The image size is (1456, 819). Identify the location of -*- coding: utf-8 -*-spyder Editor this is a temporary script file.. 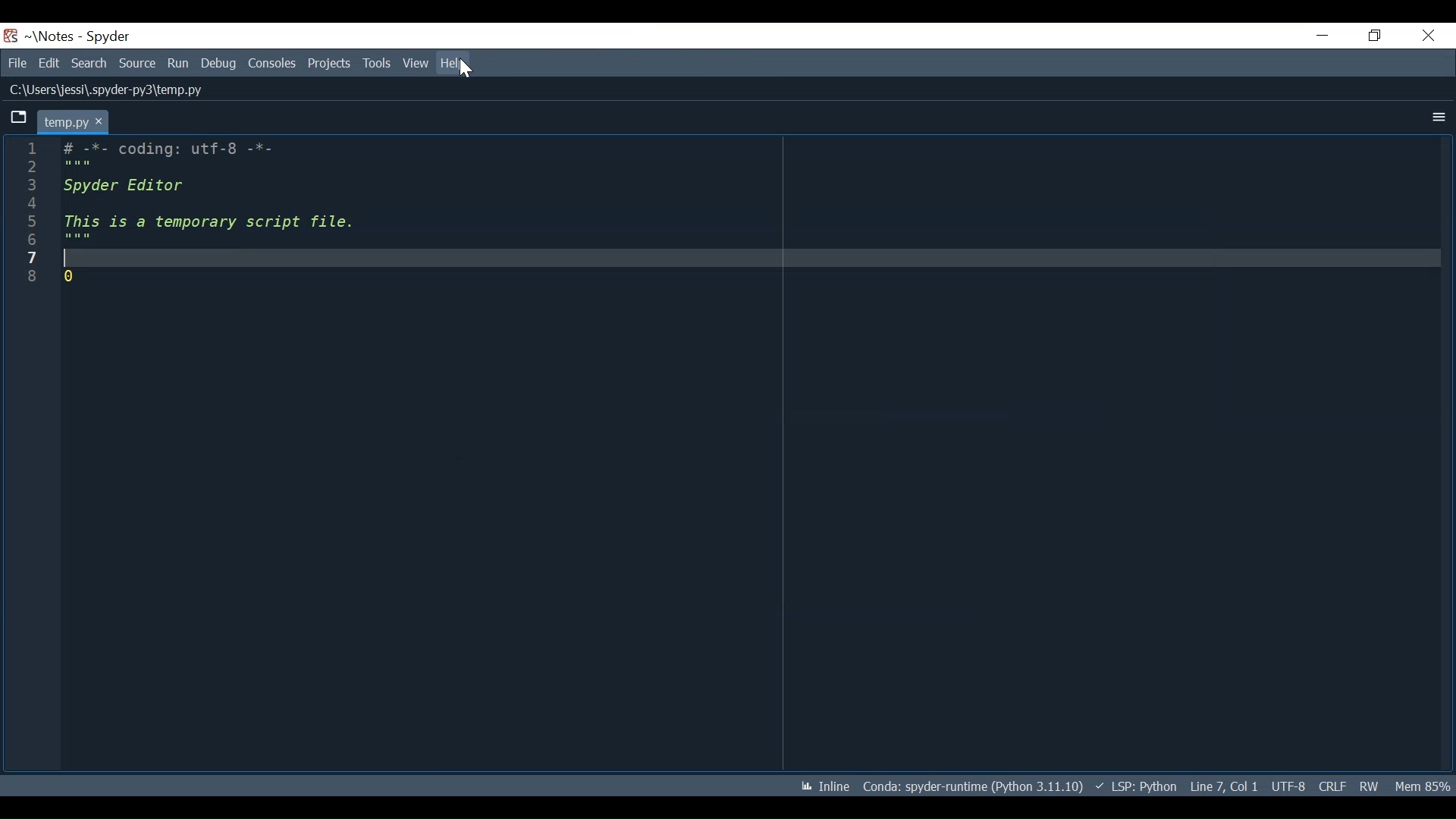
(211, 214).